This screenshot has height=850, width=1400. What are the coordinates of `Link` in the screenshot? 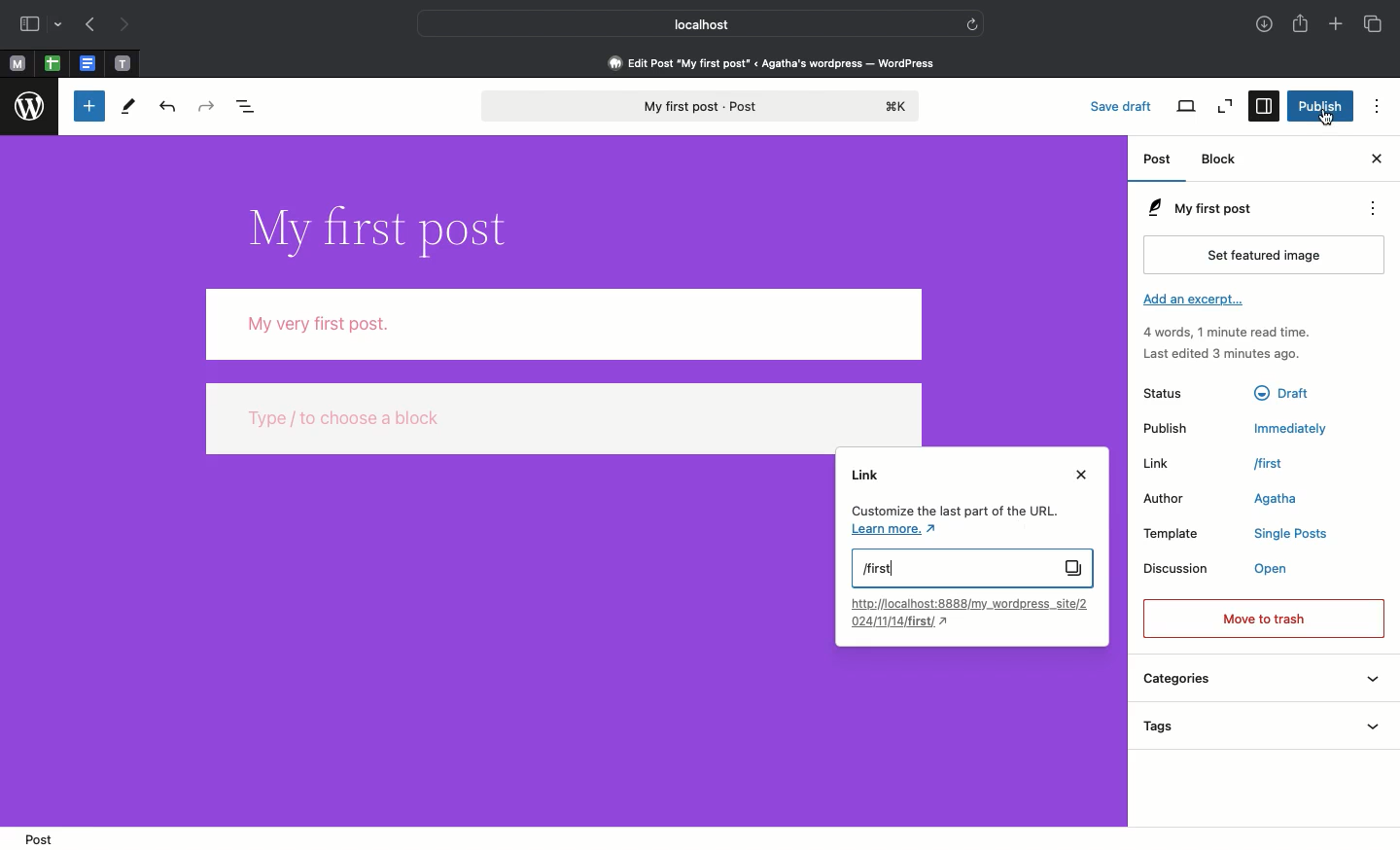 It's located at (1163, 463).